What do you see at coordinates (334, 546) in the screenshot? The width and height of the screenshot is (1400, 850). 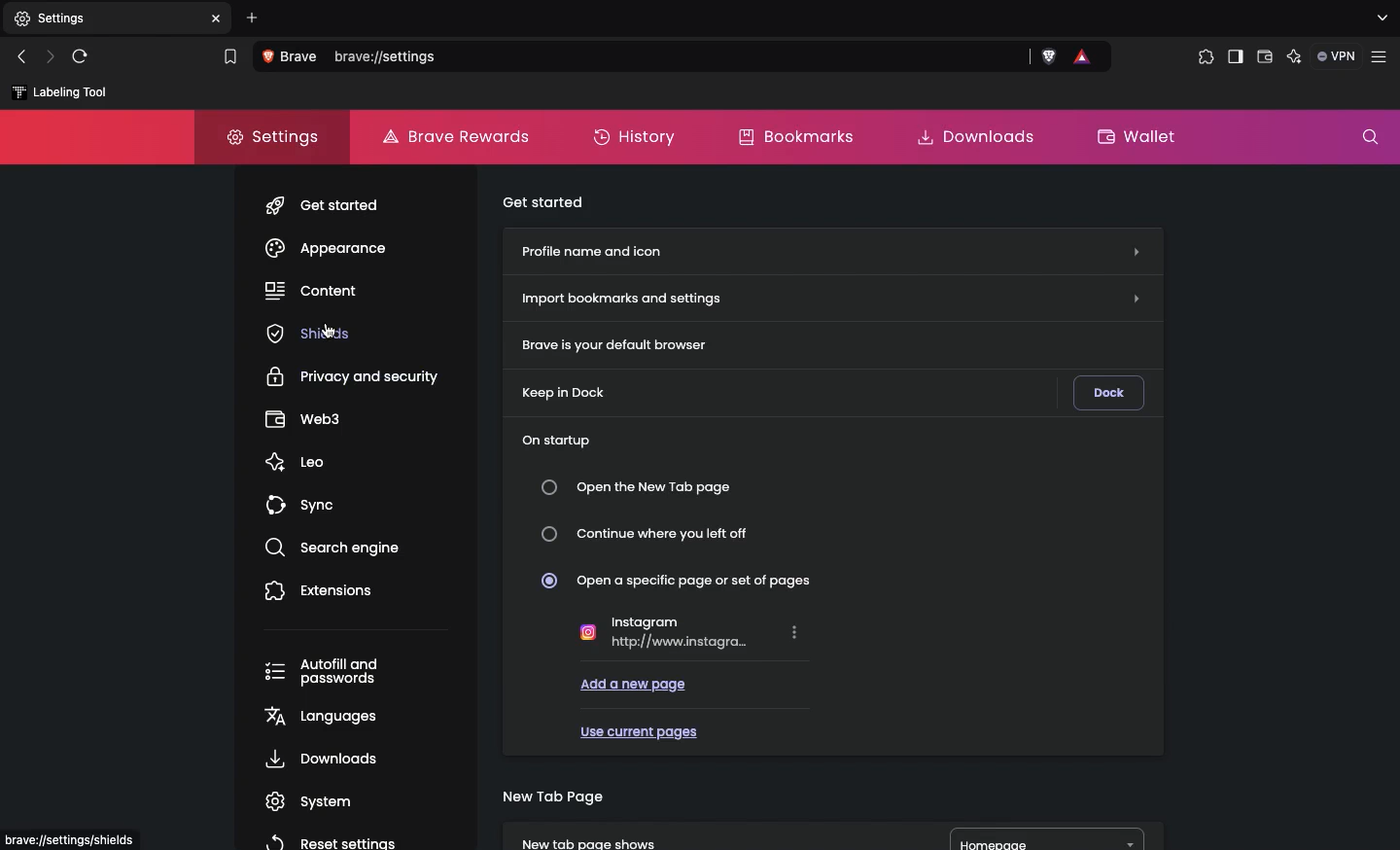 I see `Search engine` at bounding box center [334, 546].